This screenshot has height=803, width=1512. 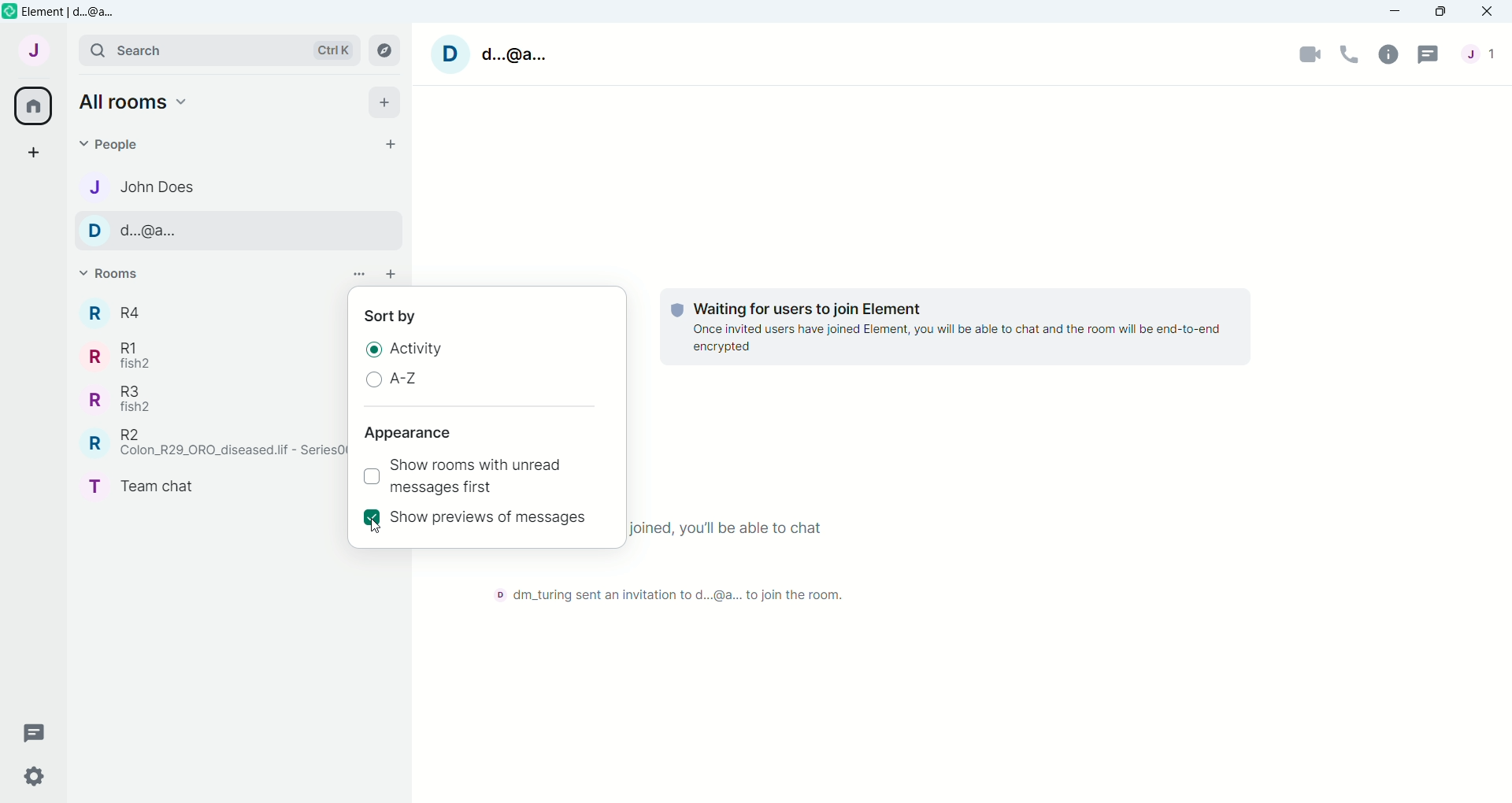 I want to click on User Menu, so click(x=39, y=50).